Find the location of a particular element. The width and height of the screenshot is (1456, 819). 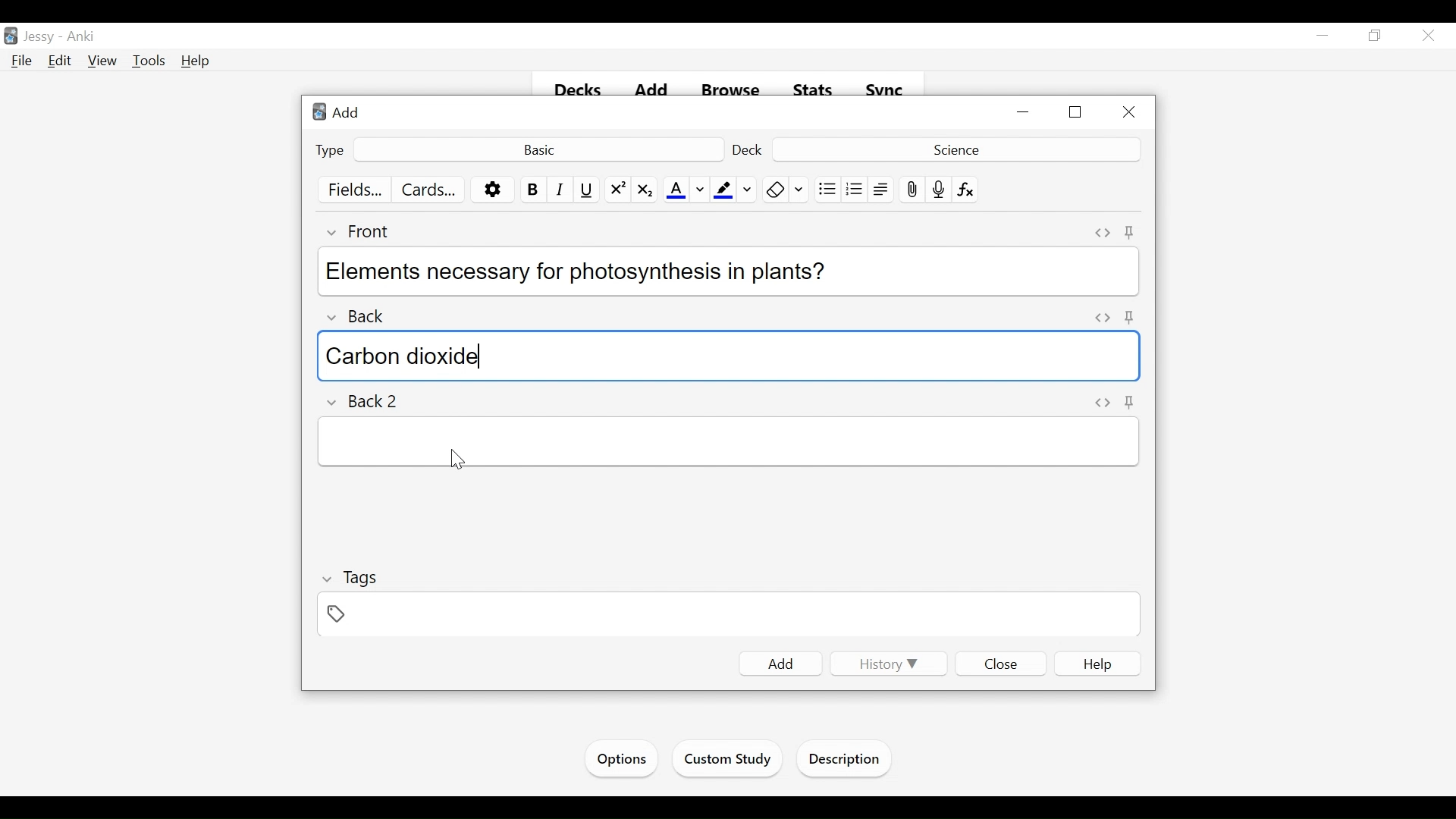

History is located at coordinates (886, 664).